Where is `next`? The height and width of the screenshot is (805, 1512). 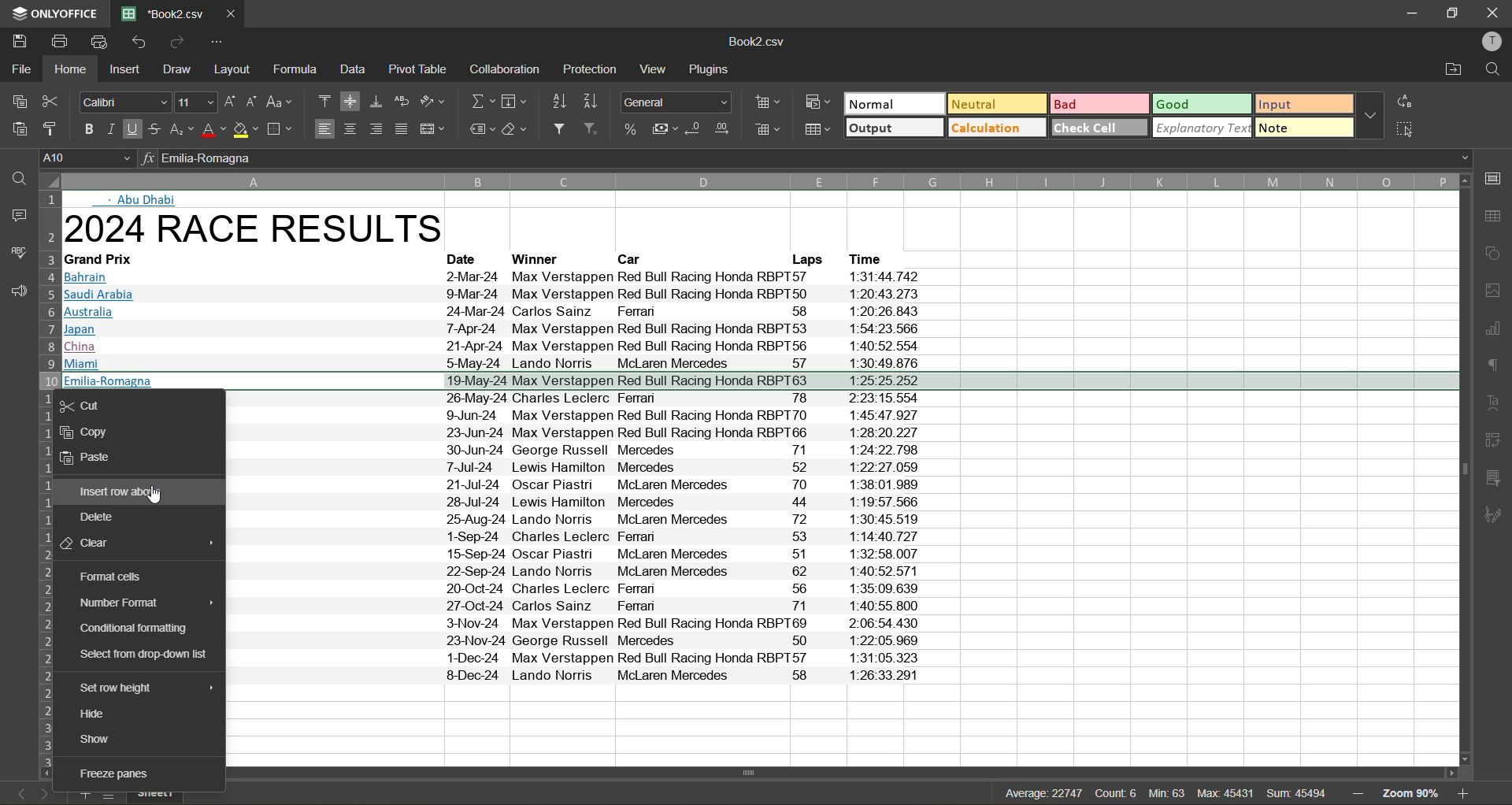
next is located at coordinates (46, 794).